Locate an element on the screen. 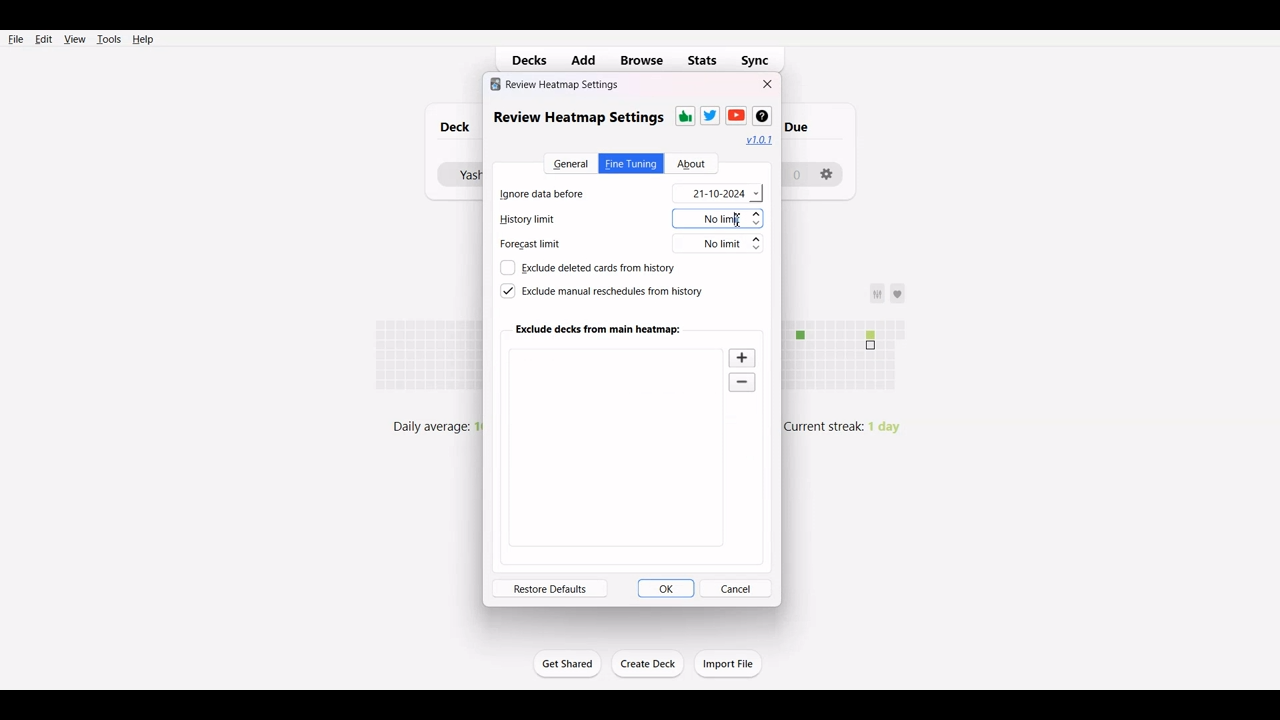 The image size is (1280, 720). No limit is located at coordinates (720, 219).